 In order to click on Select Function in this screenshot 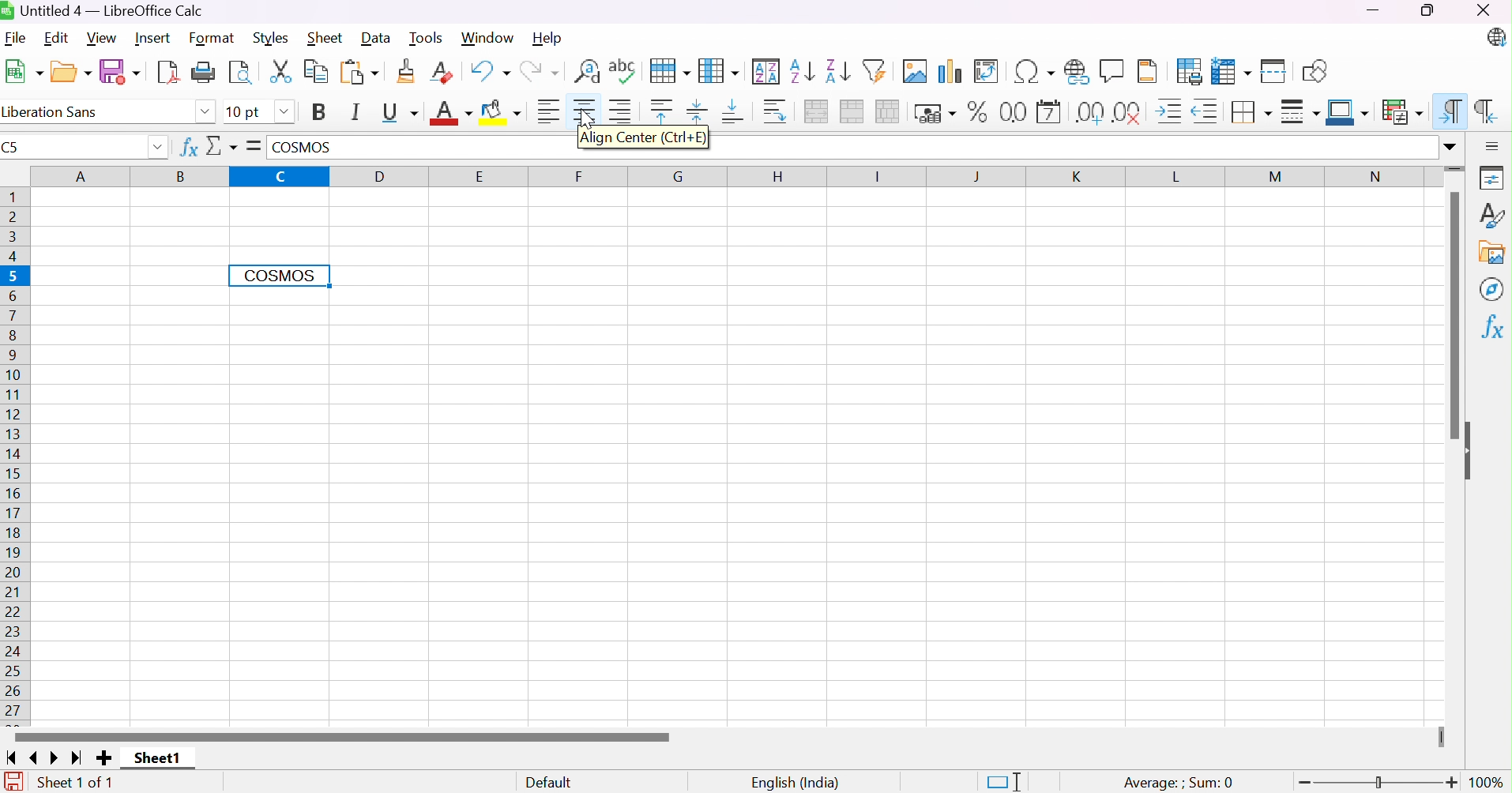, I will do `click(220, 145)`.